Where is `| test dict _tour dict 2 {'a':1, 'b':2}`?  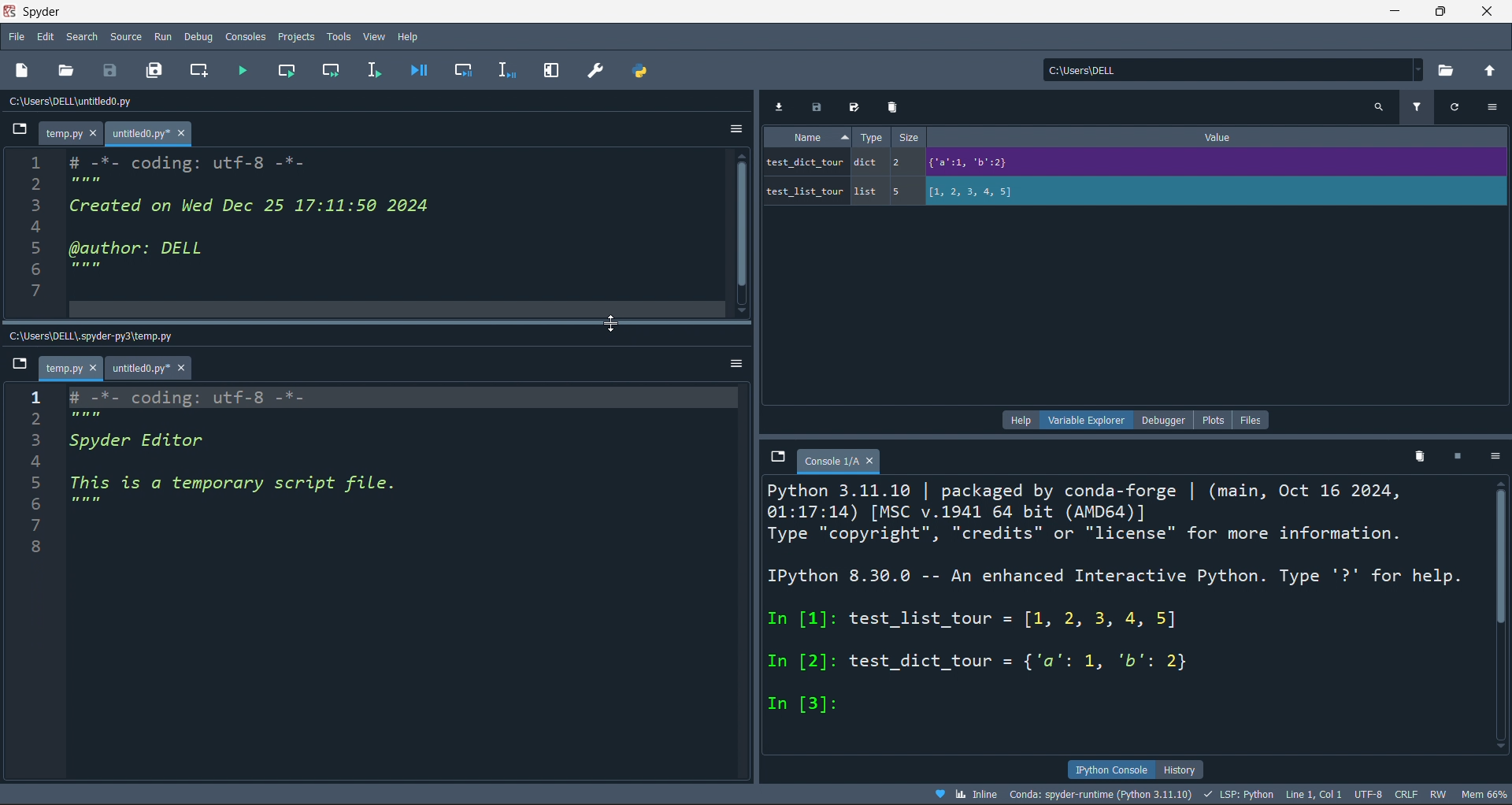
| test dict _tour dict 2 {'a':1, 'b':2} is located at coordinates (1086, 161).